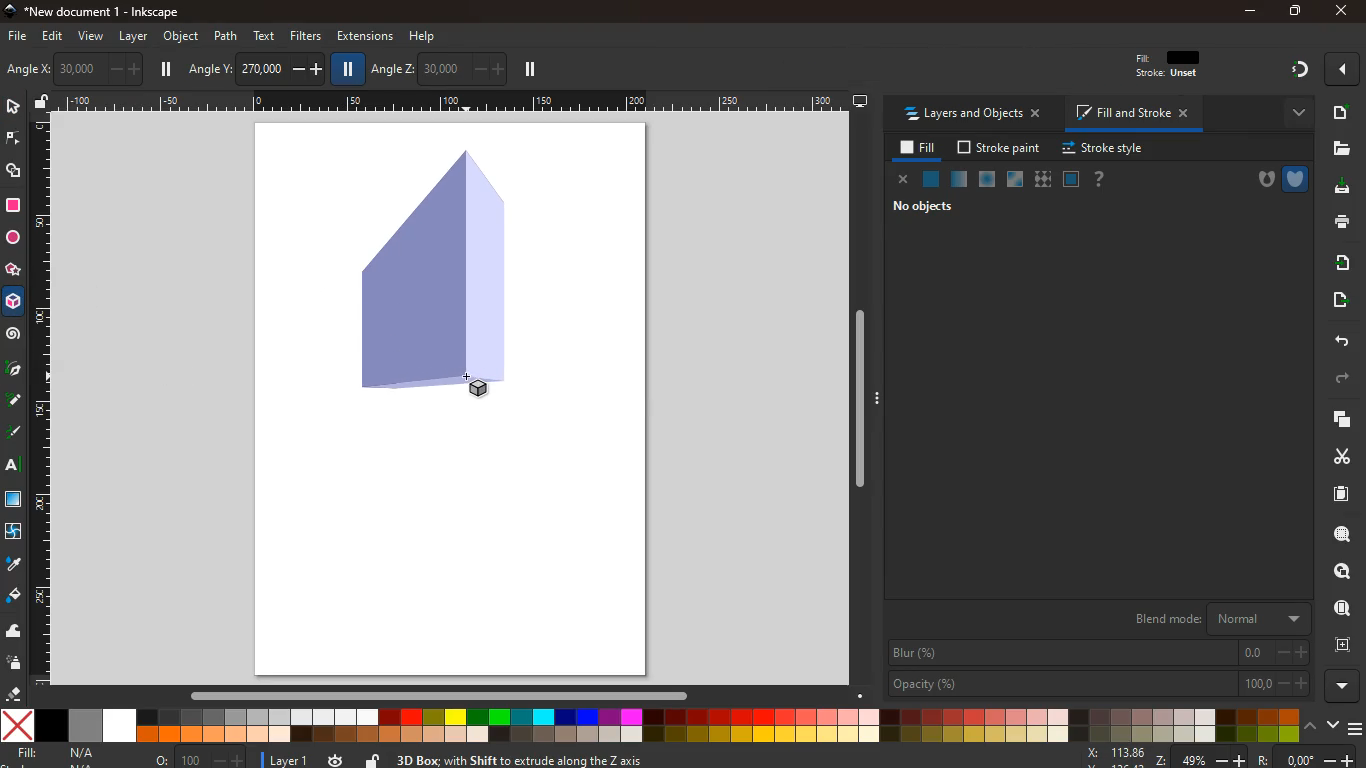 This screenshot has height=768, width=1366. What do you see at coordinates (13, 531) in the screenshot?
I see `twist` at bounding box center [13, 531].